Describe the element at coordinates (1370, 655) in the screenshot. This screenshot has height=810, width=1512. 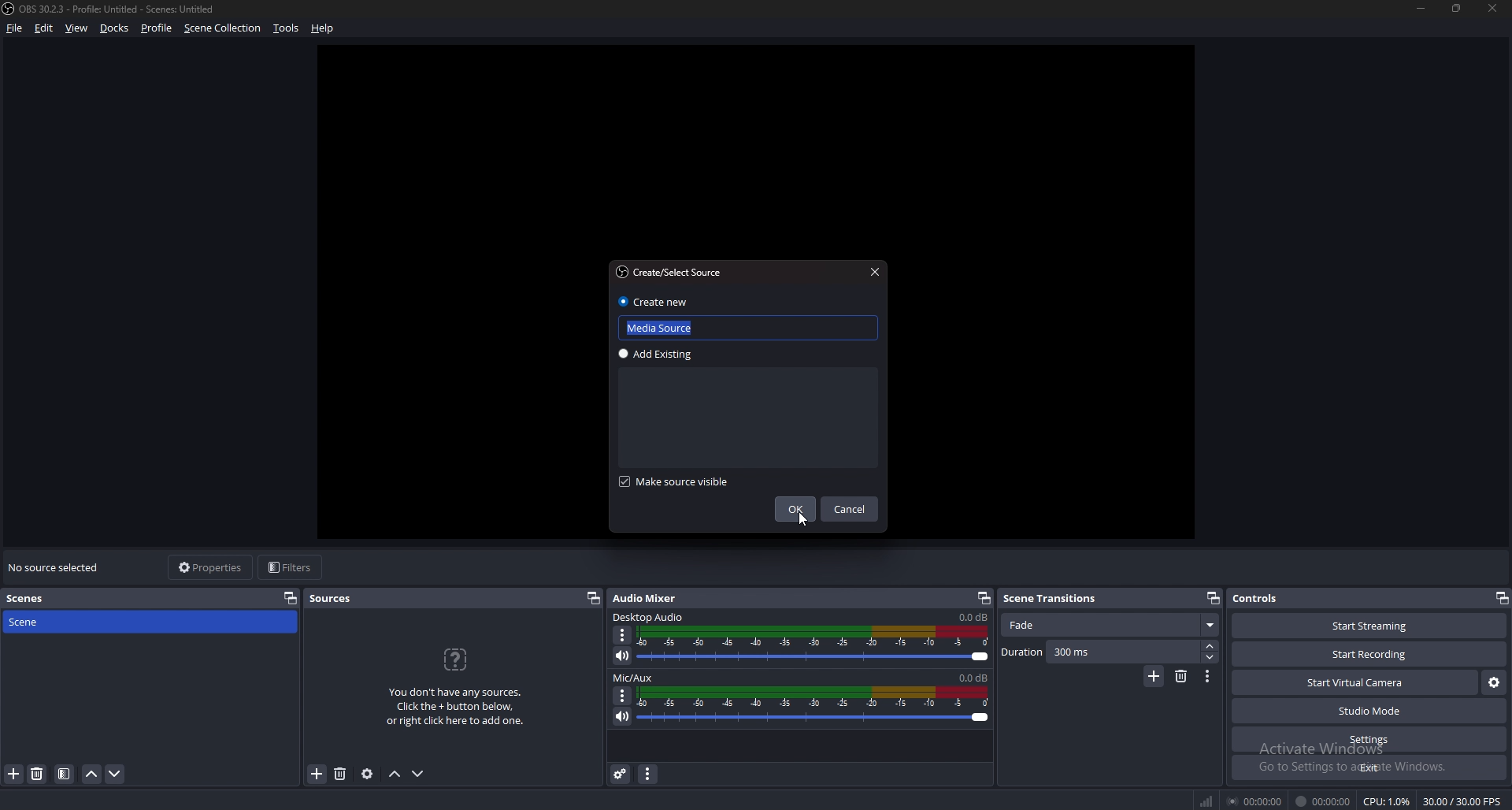
I see `Start recording` at that location.